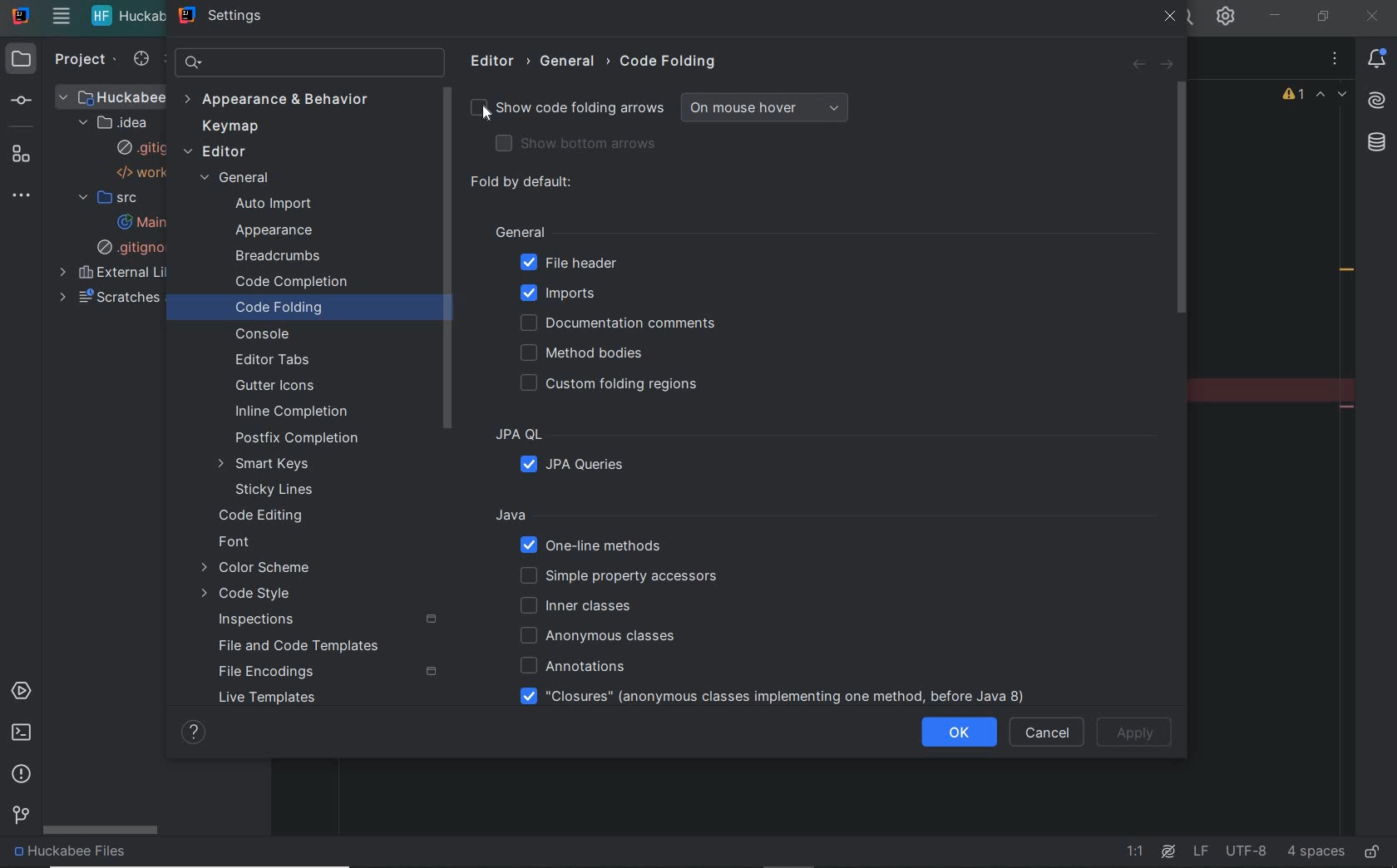  I want to click on code folding, so click(279, 306).